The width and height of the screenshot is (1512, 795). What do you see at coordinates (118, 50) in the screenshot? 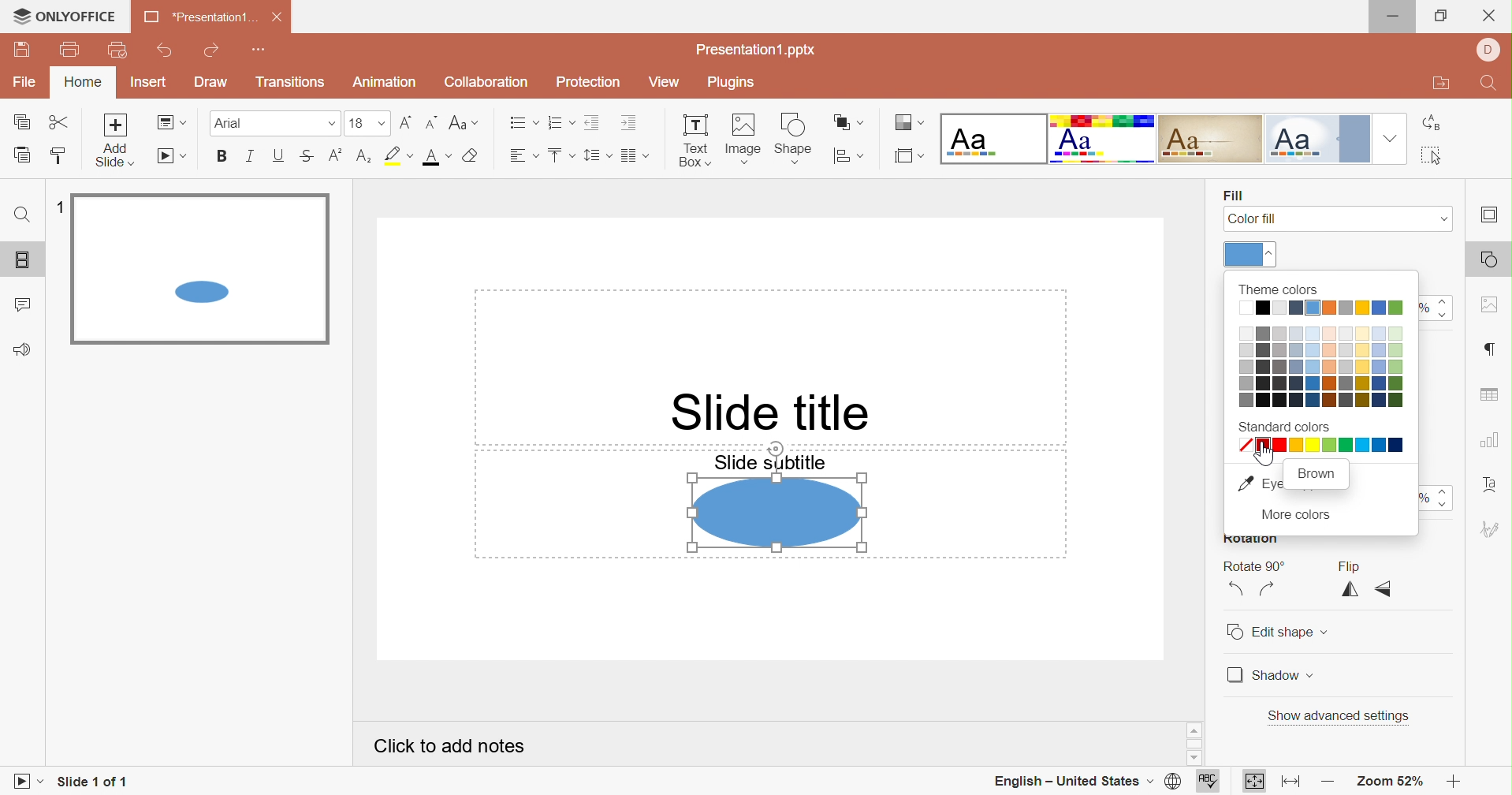
I see `Quick print` at bounding box center [118, 50].